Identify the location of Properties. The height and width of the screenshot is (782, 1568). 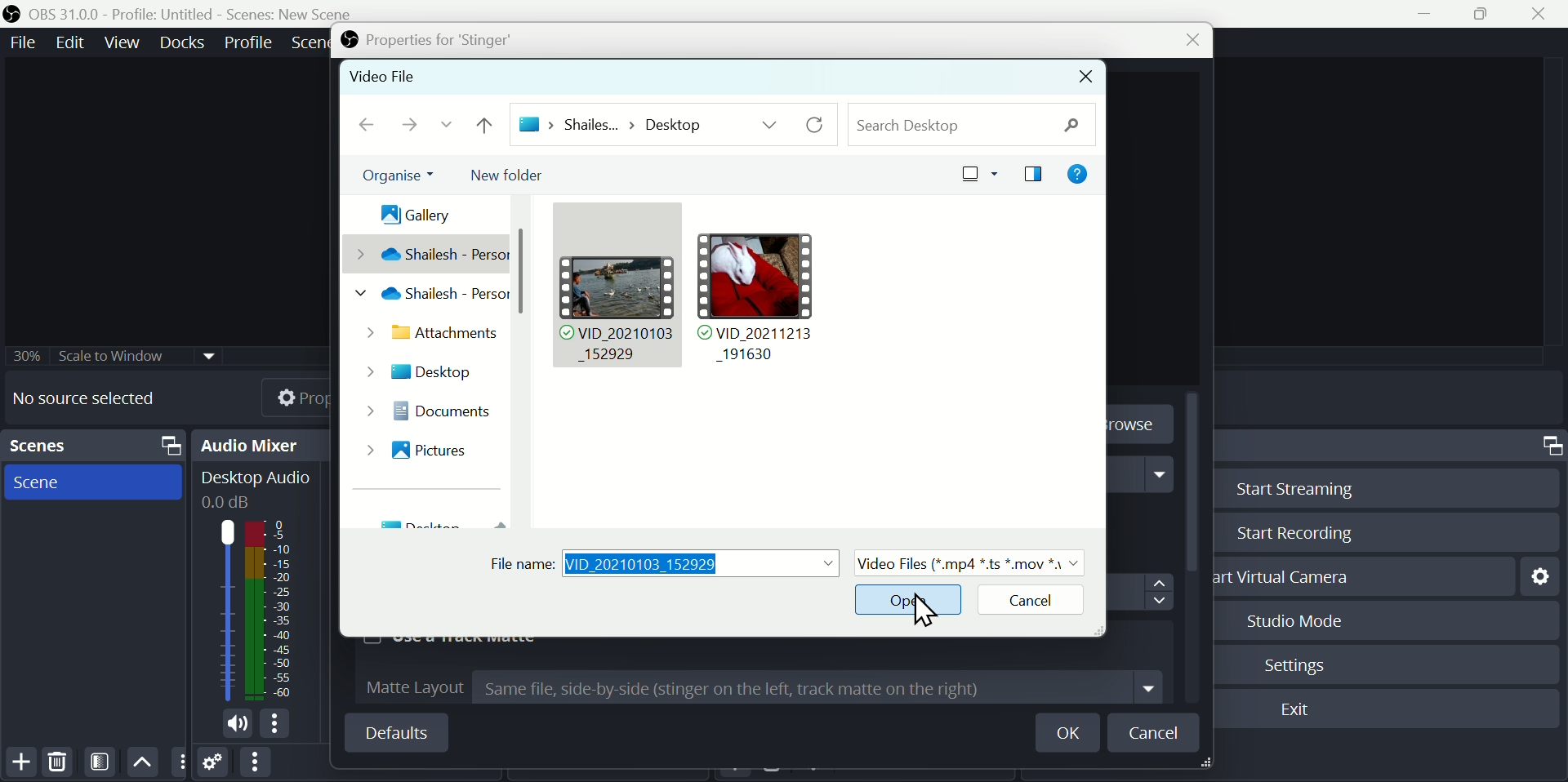
(282, 395).